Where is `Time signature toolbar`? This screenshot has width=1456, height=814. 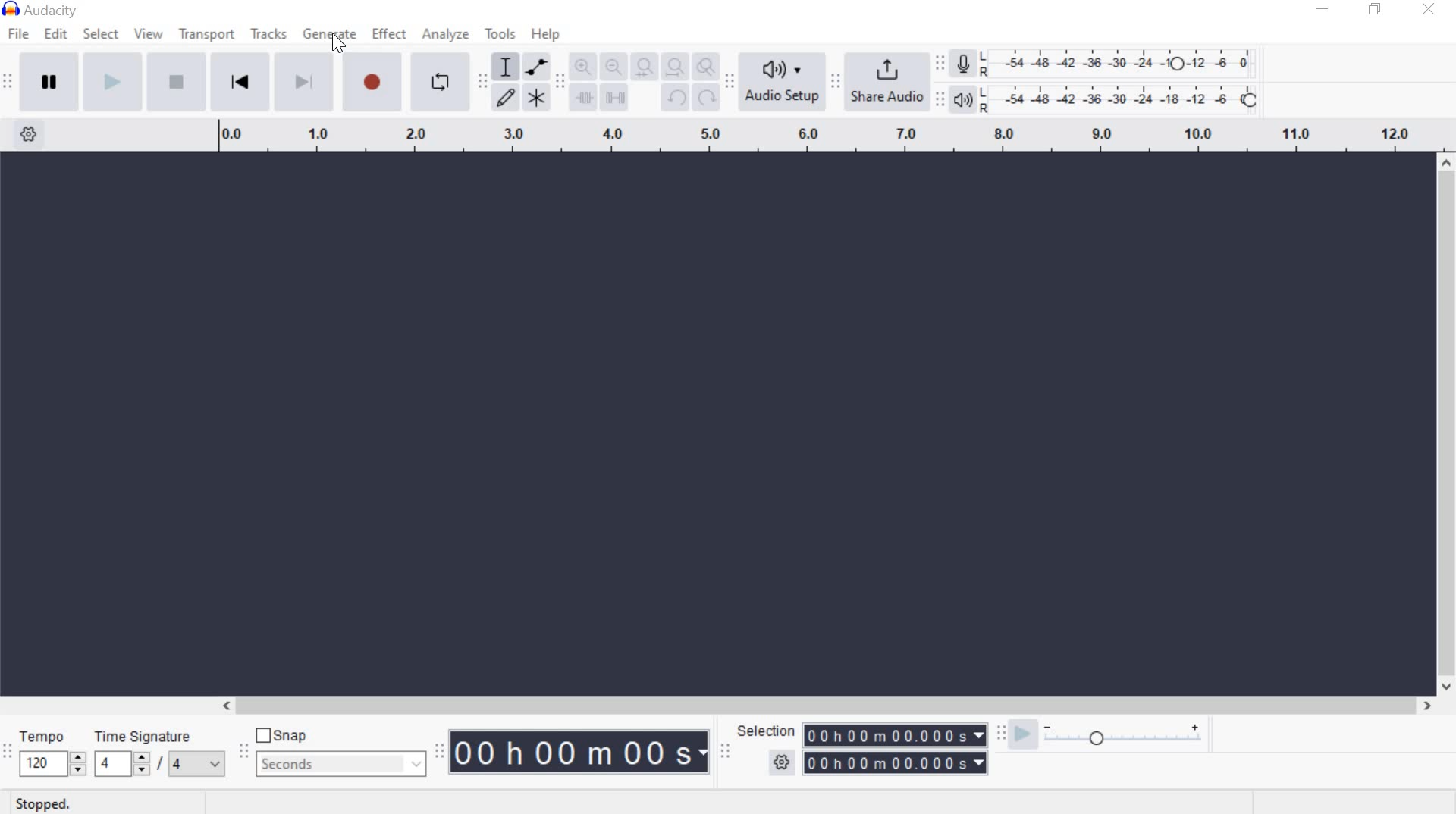 Time signature toolbar is located at coordinates (8, 758).